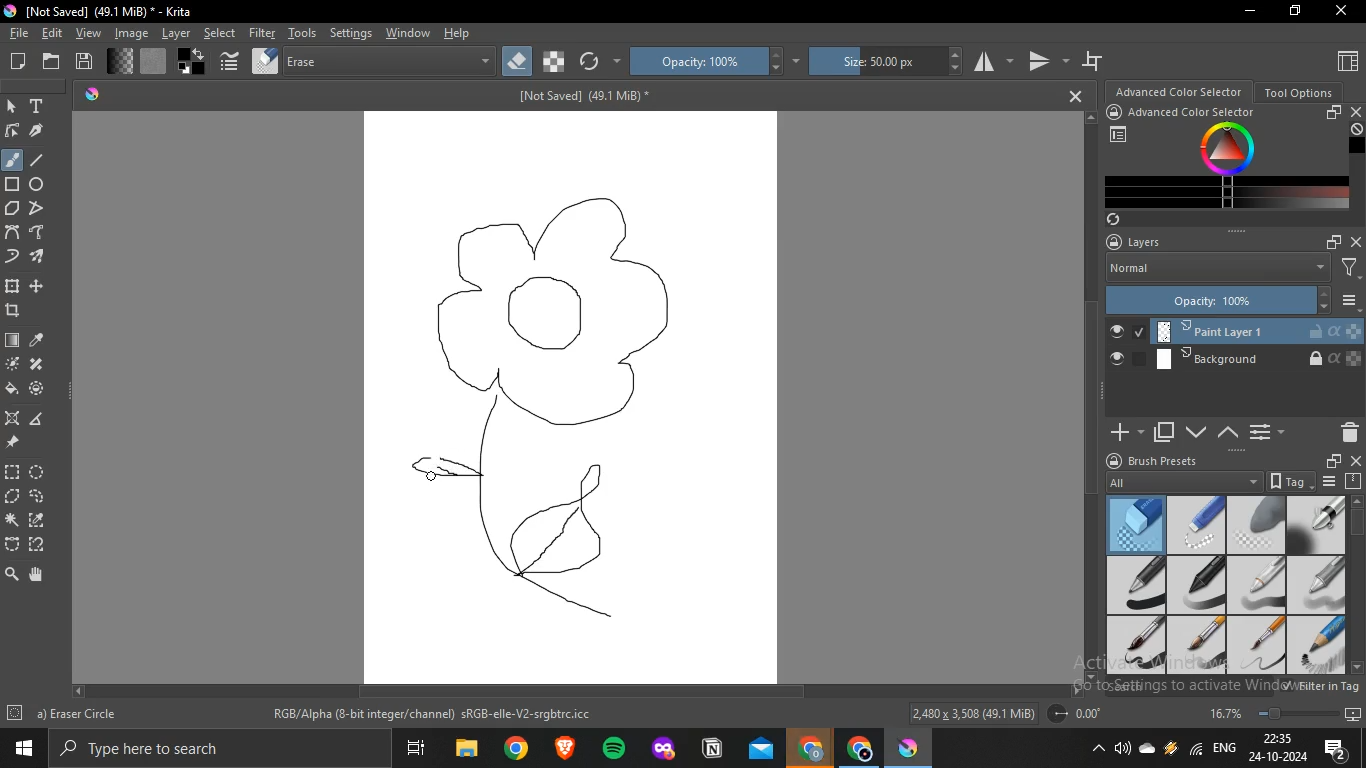 This screenshot has height=768, width=1366. Describe the element at coordinates (15, 496) in the screenshot. I see `polygonal selection tool` at that location.